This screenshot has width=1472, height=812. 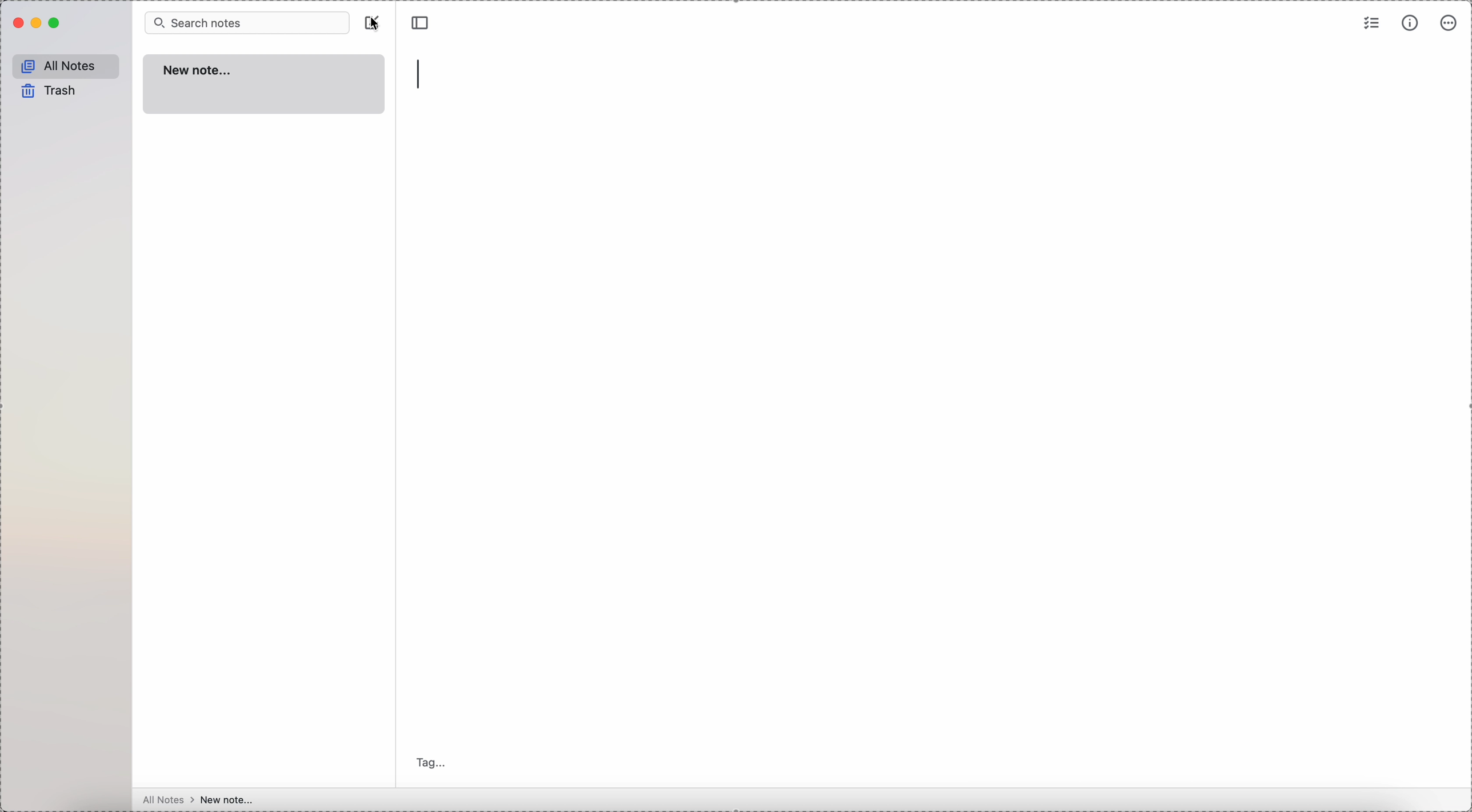 What do you see at coordinates (56, 23) in the screenshot?
I see `maximize` at bounding box center [56, 23].